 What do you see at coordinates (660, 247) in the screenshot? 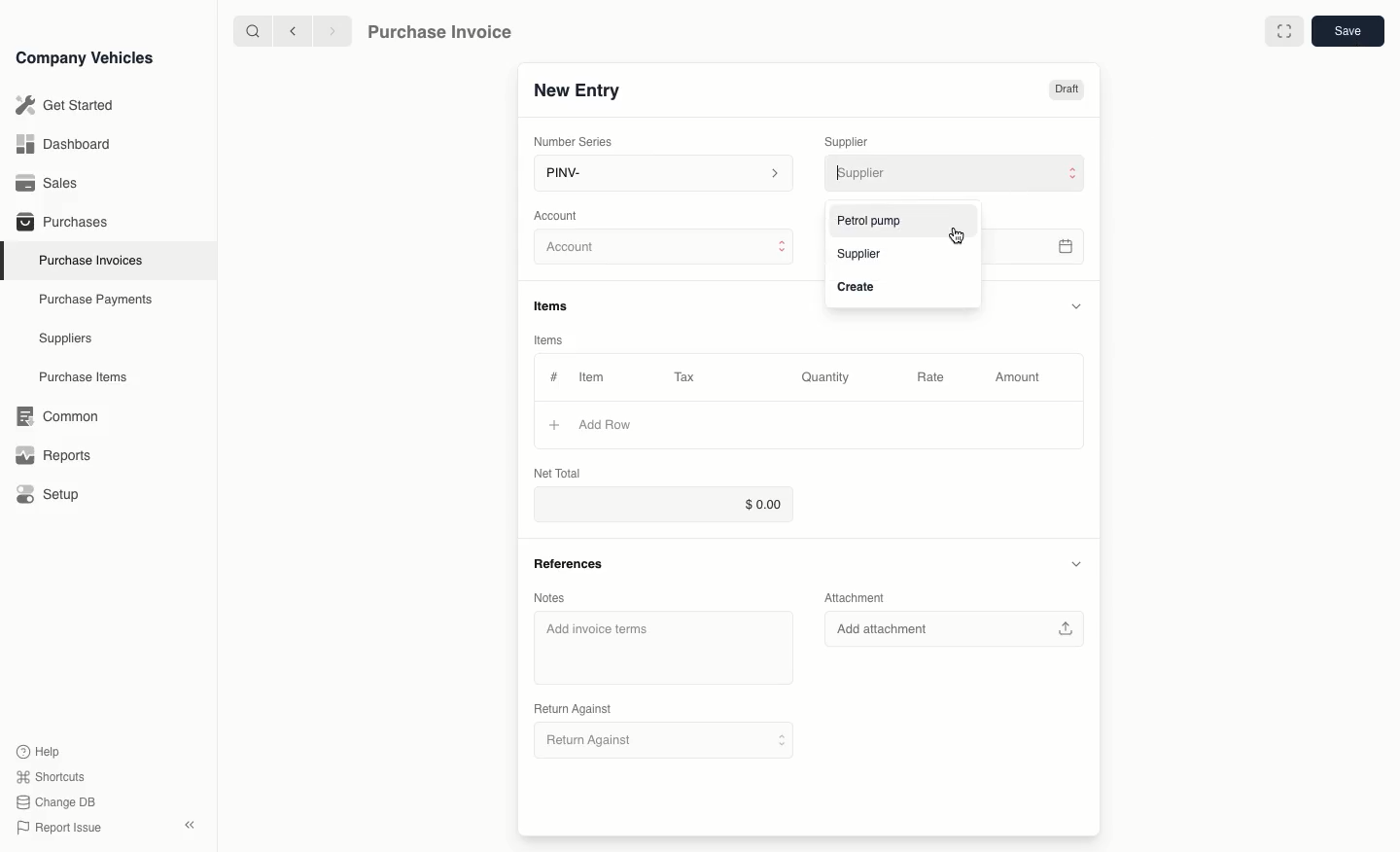
I see `Account` at bounding box center [660, 247].